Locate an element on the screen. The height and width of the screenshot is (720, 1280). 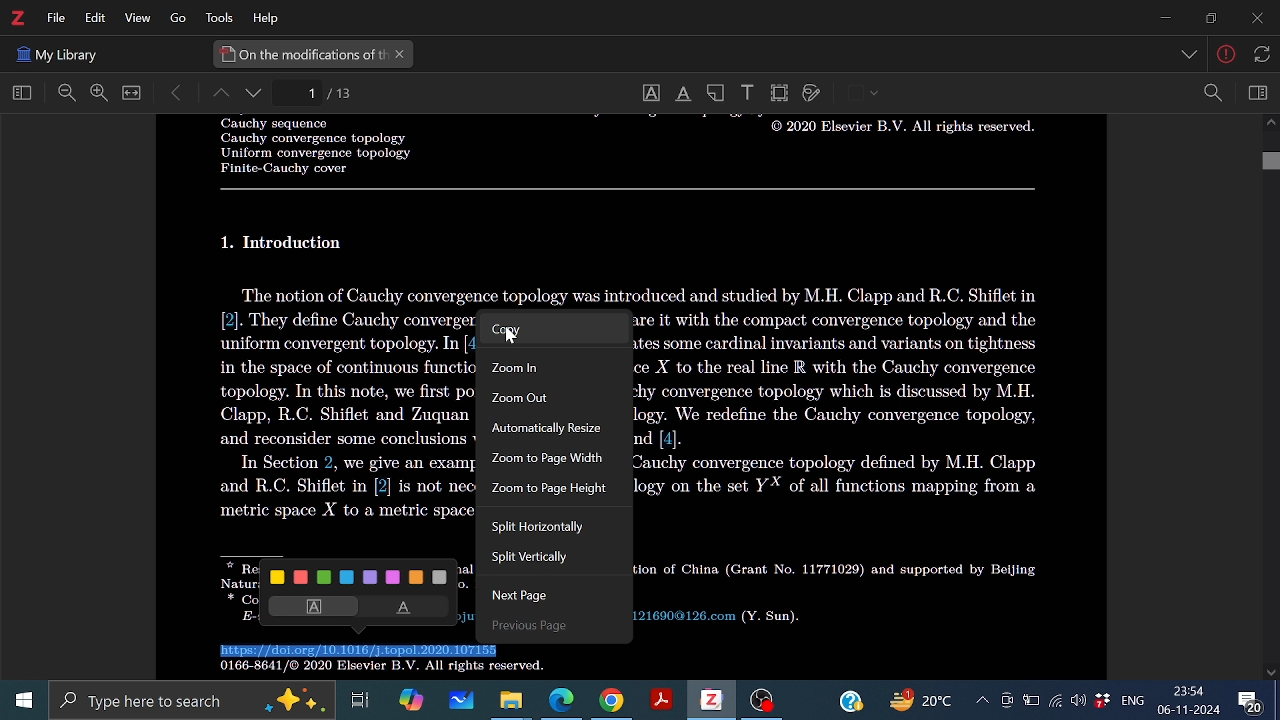
Help is located at coordinates (850, 699).